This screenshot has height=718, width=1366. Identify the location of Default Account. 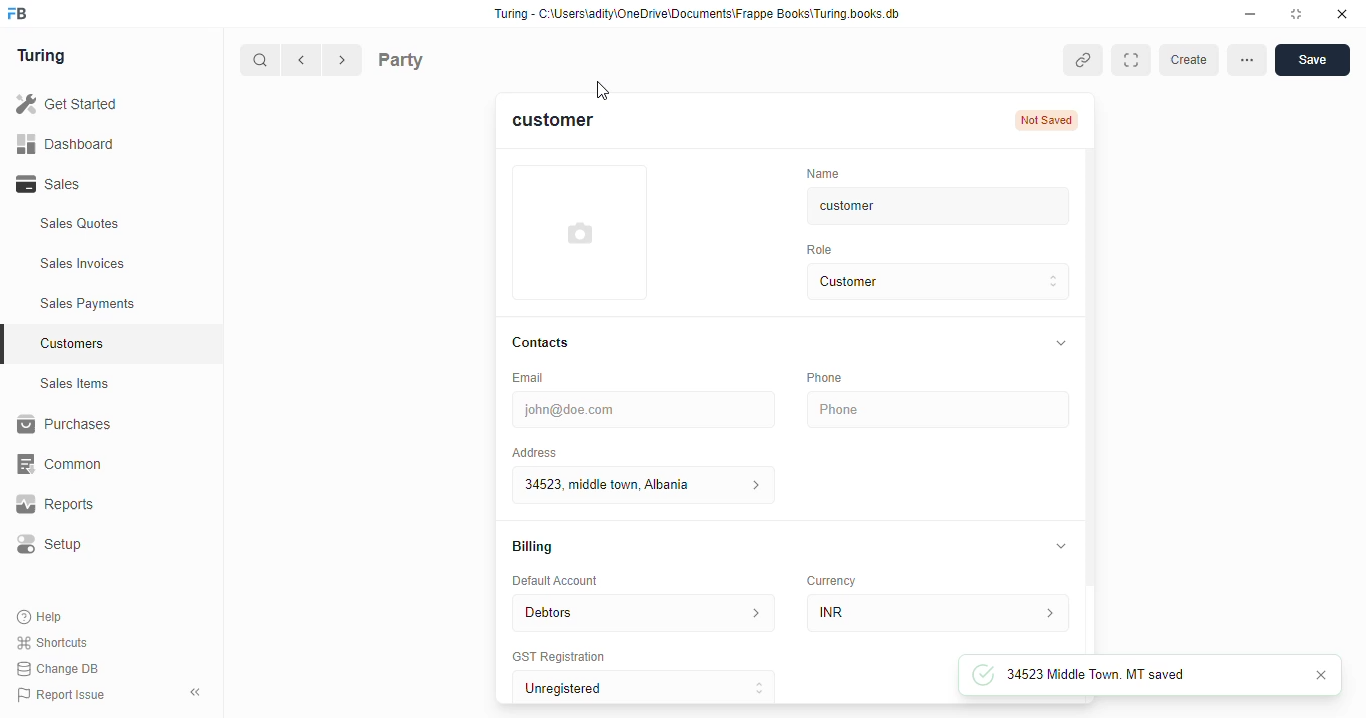
(565, 582).